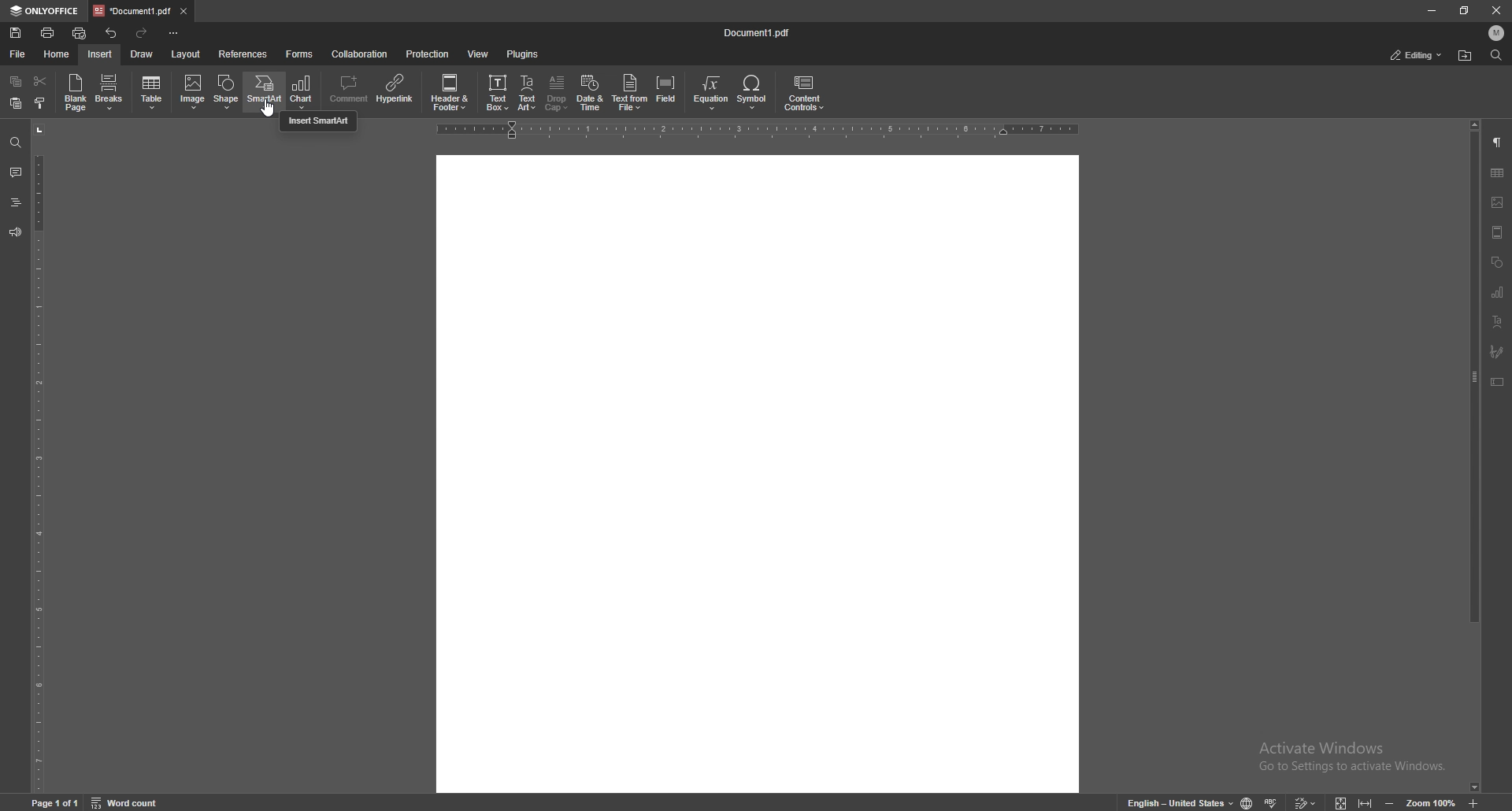  I want to click on vertical scale, so click(38, 456).